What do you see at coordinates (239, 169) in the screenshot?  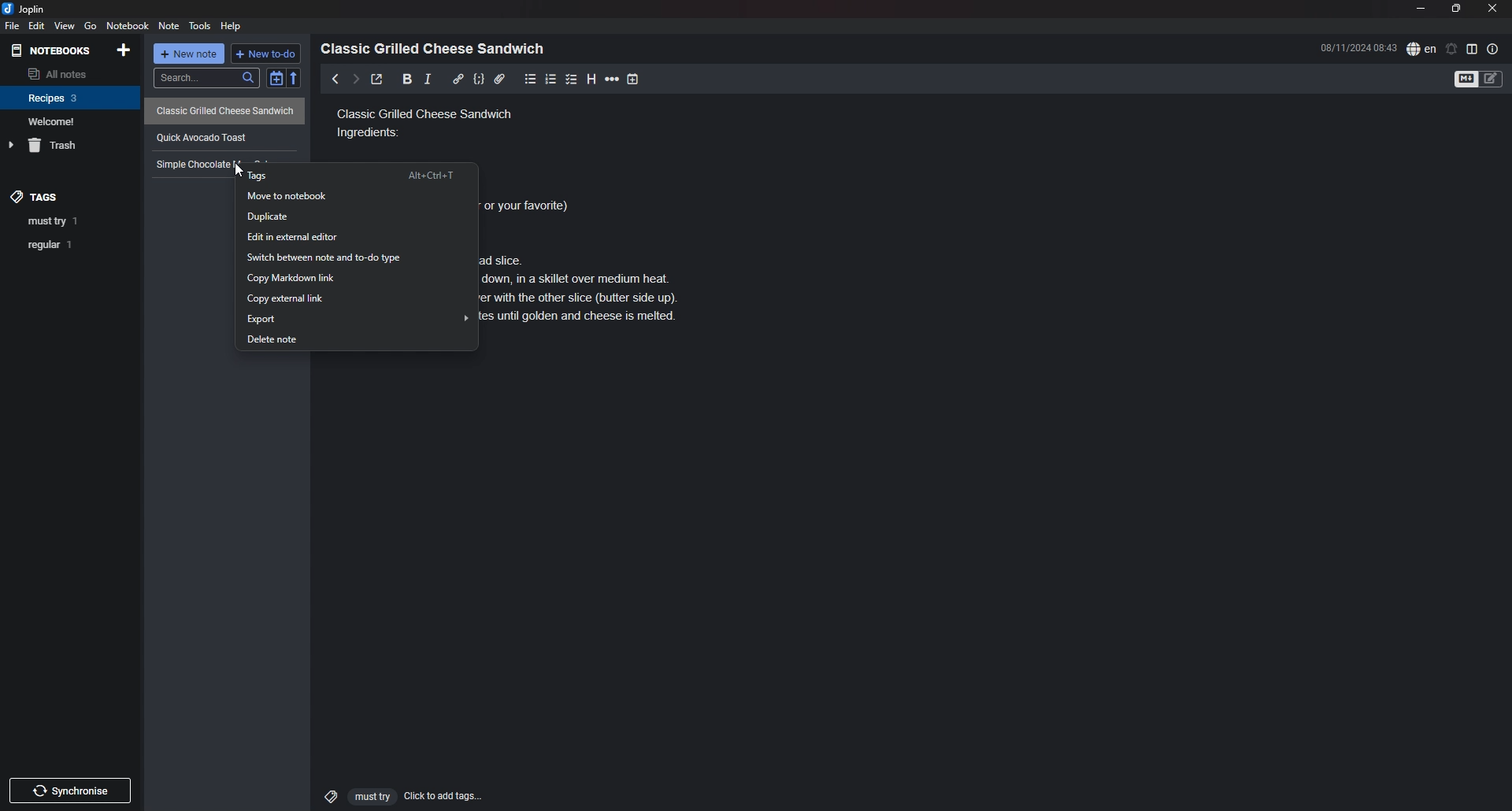 I see `cursor` at bounding box center [239, 169].